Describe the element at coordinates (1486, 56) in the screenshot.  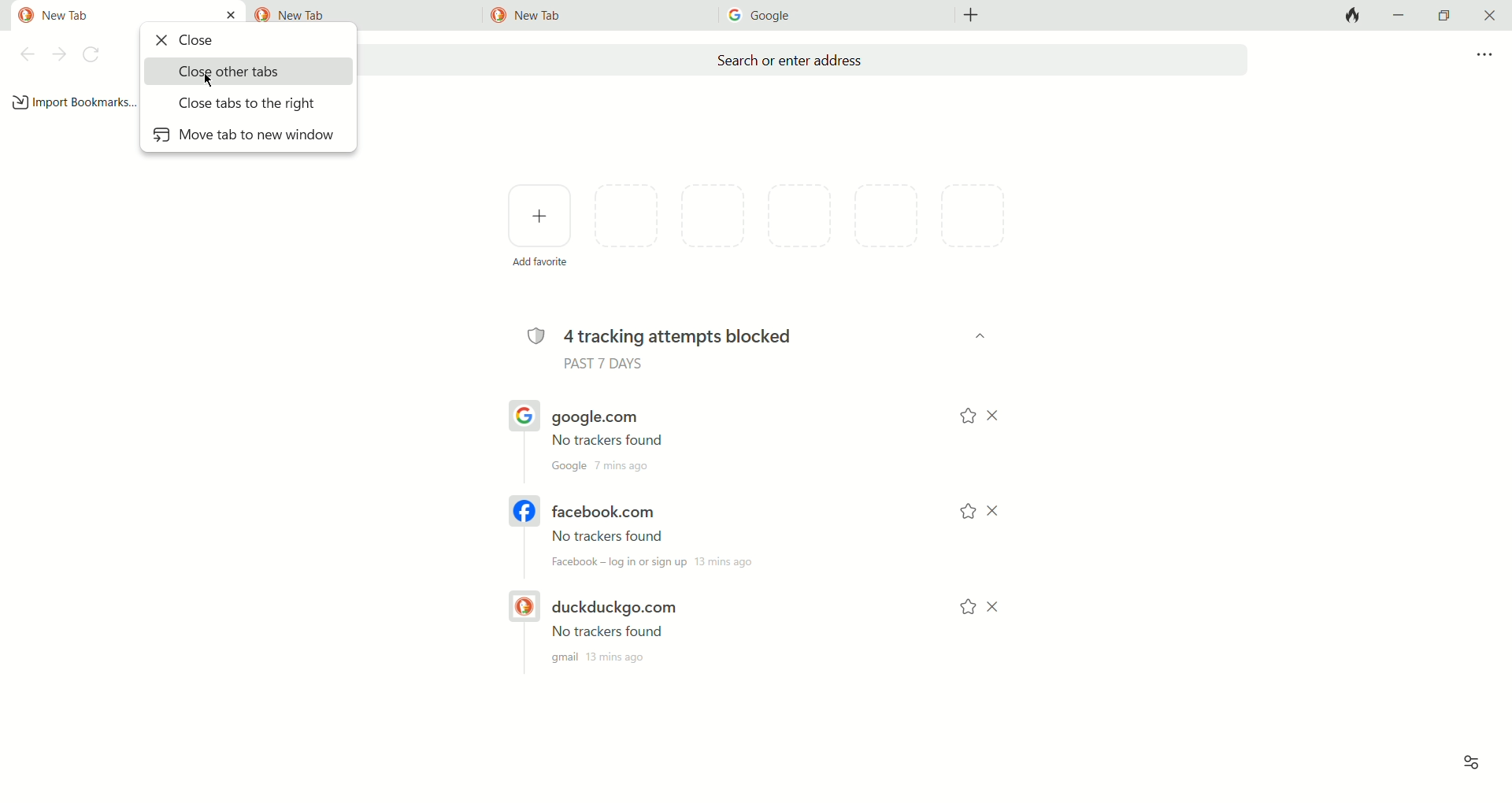
I see `more options` at that location.